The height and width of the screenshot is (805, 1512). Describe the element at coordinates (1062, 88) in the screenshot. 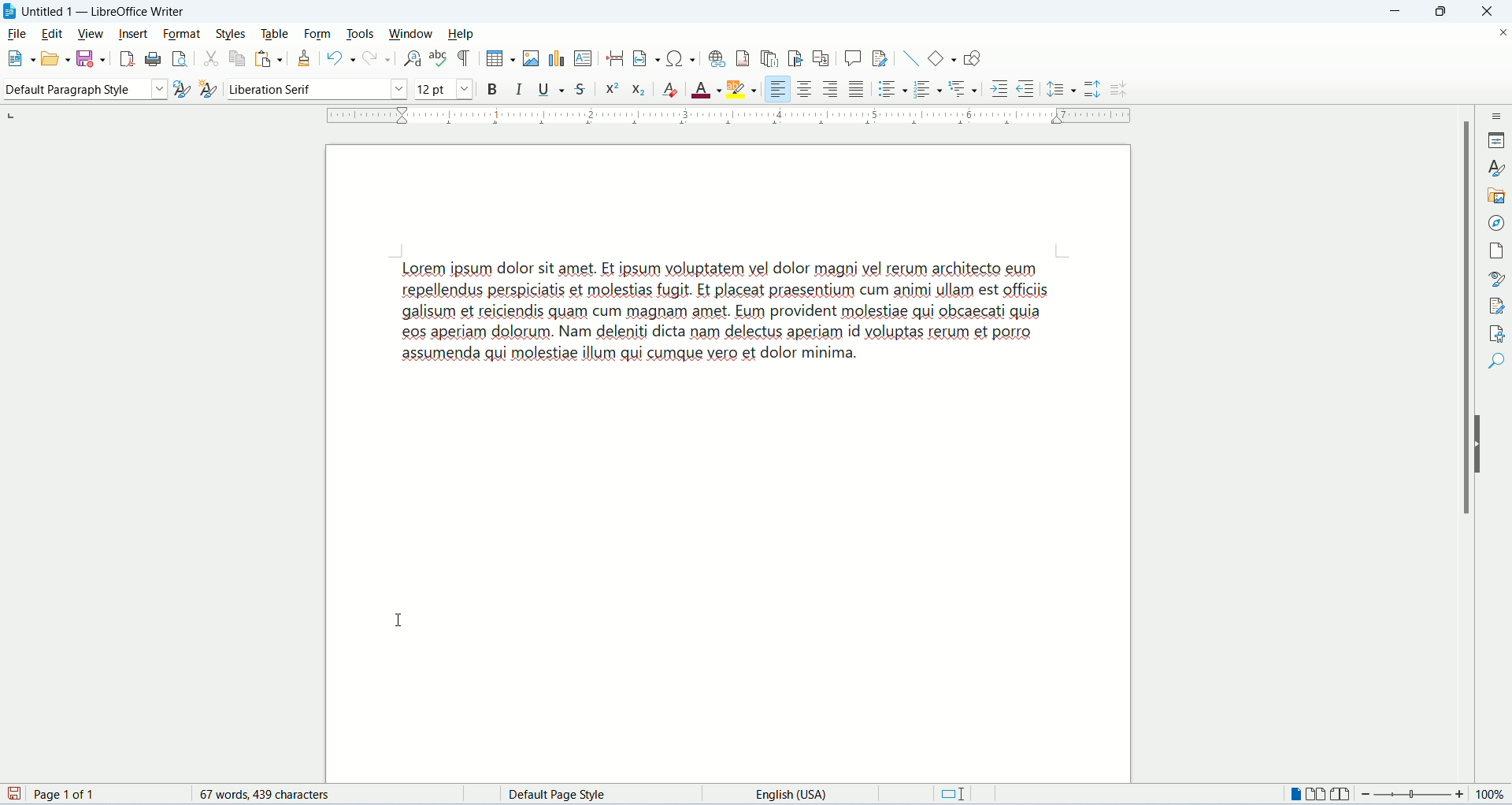

I see `set line spacing` at that location.